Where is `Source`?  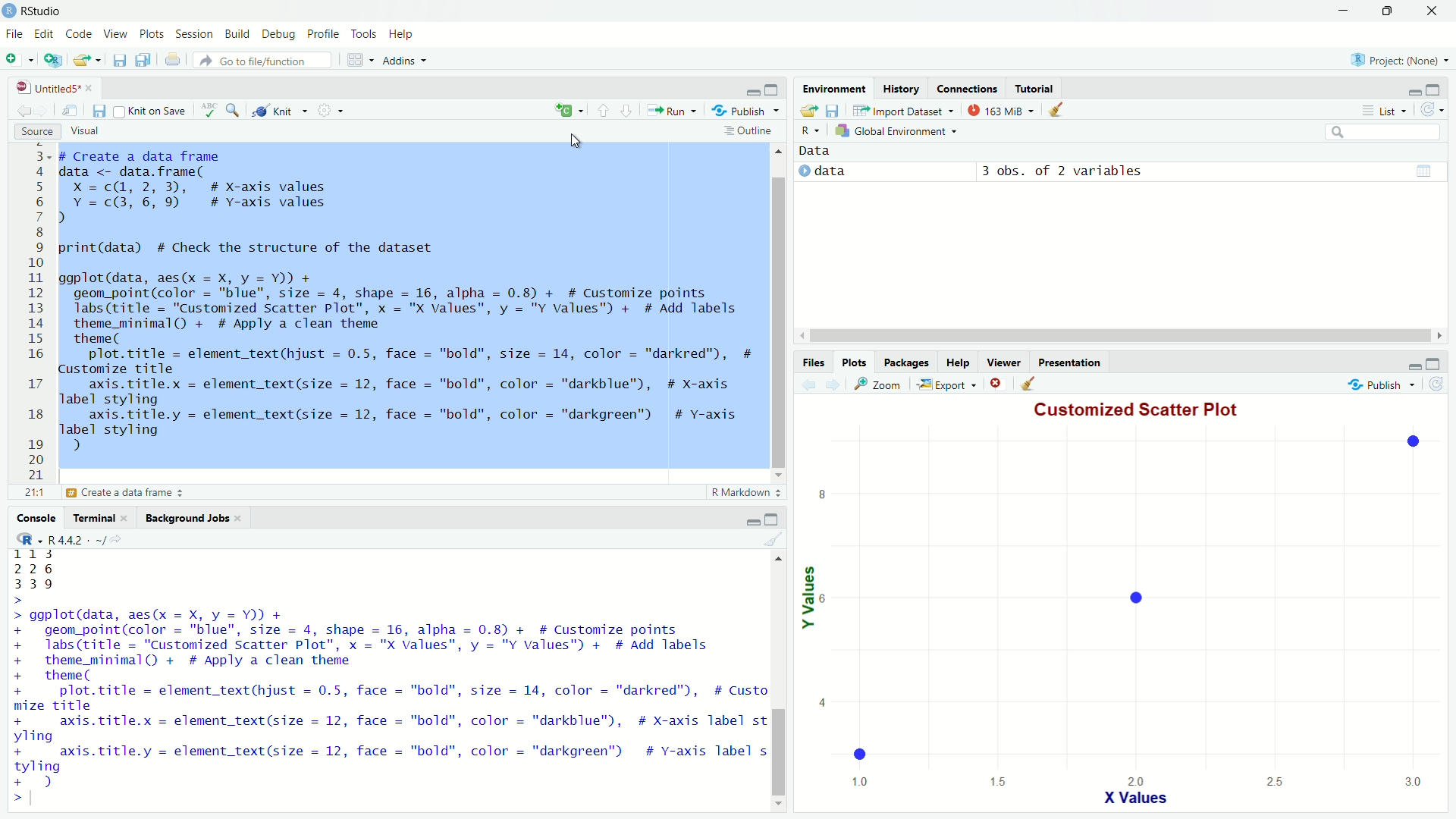
Source is located at coordinates (33, 132).